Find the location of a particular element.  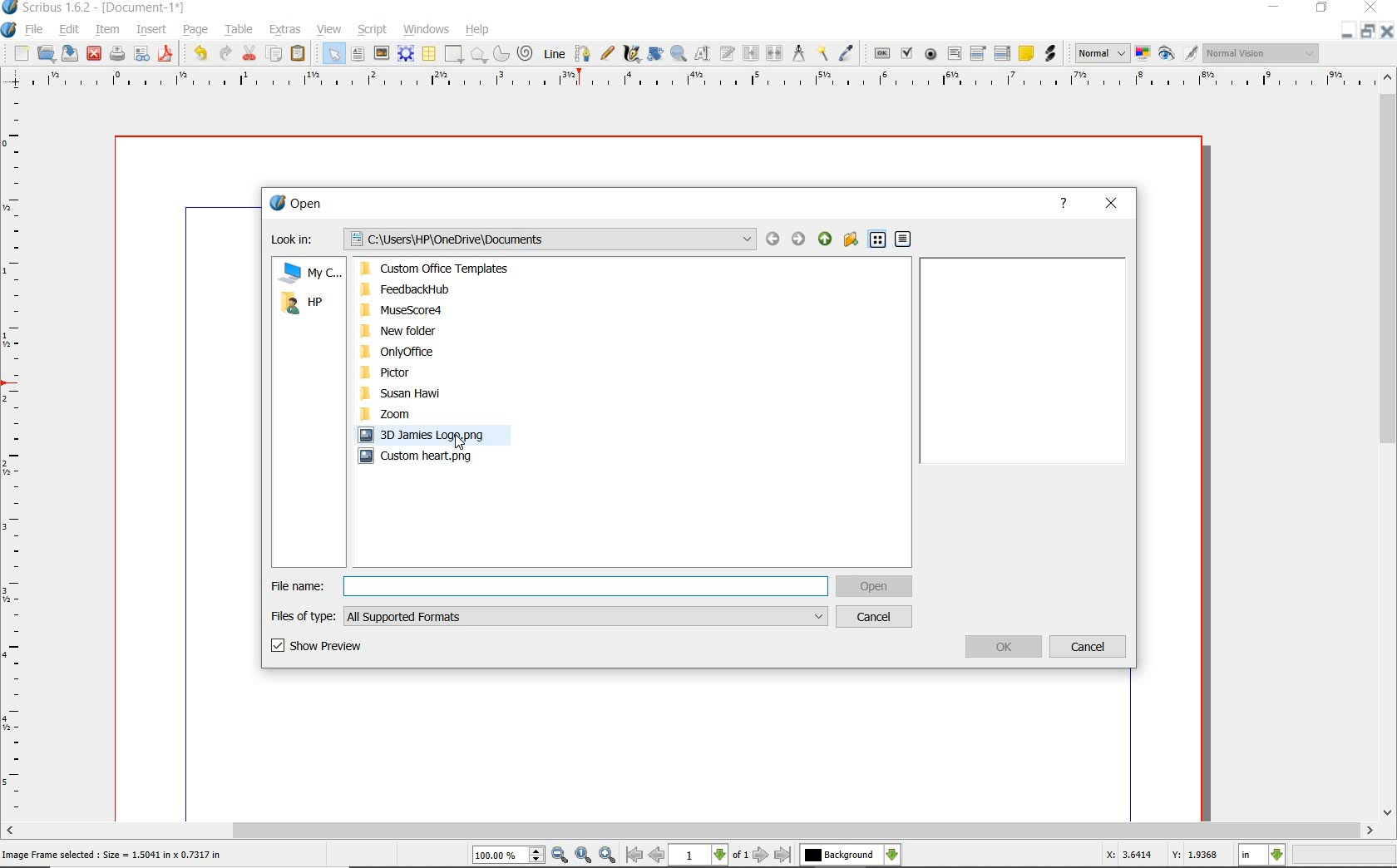

files of type is located at coordinates (550, 615).